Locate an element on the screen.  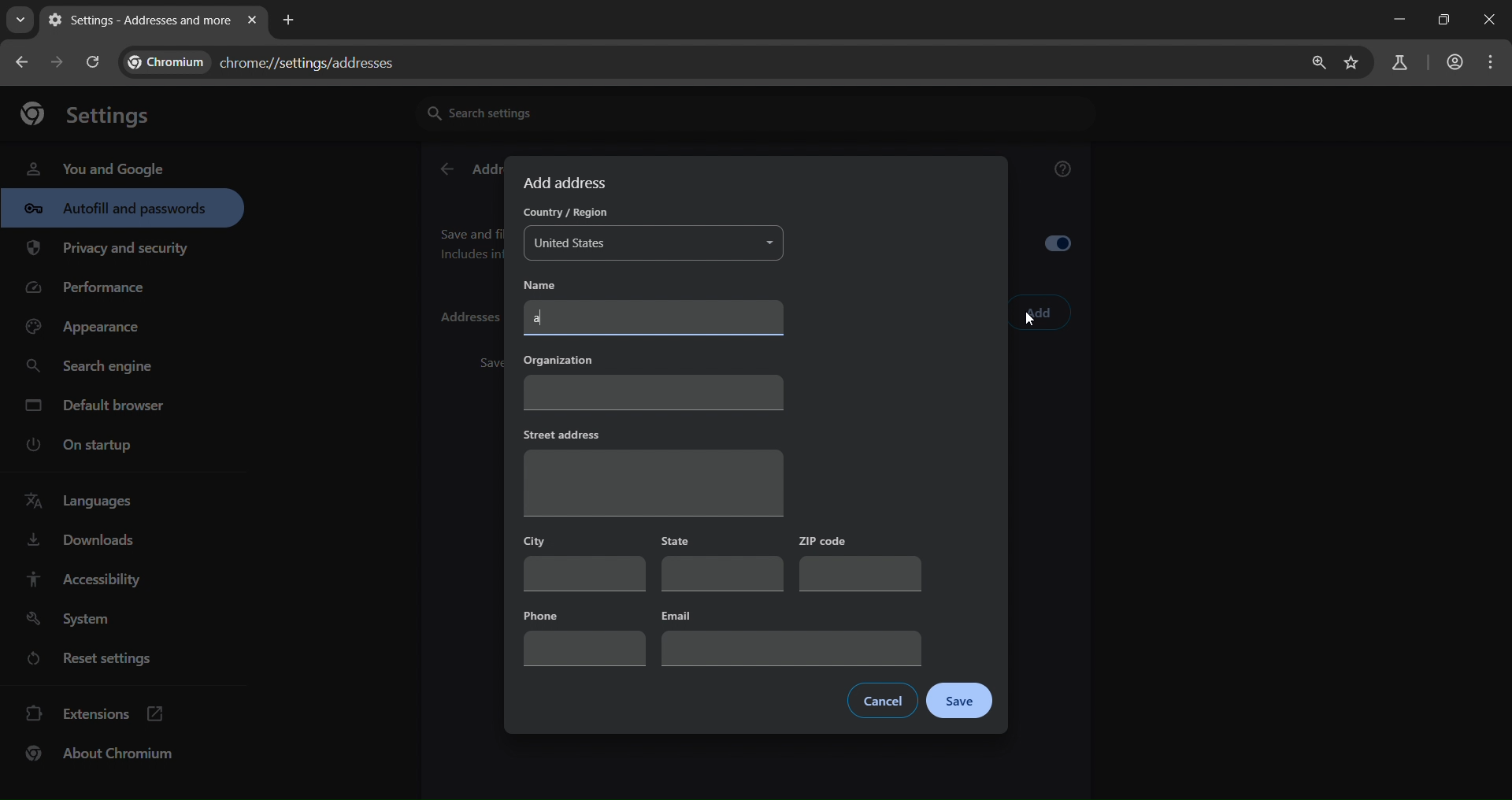
account is located at coordinates (1452, 64).